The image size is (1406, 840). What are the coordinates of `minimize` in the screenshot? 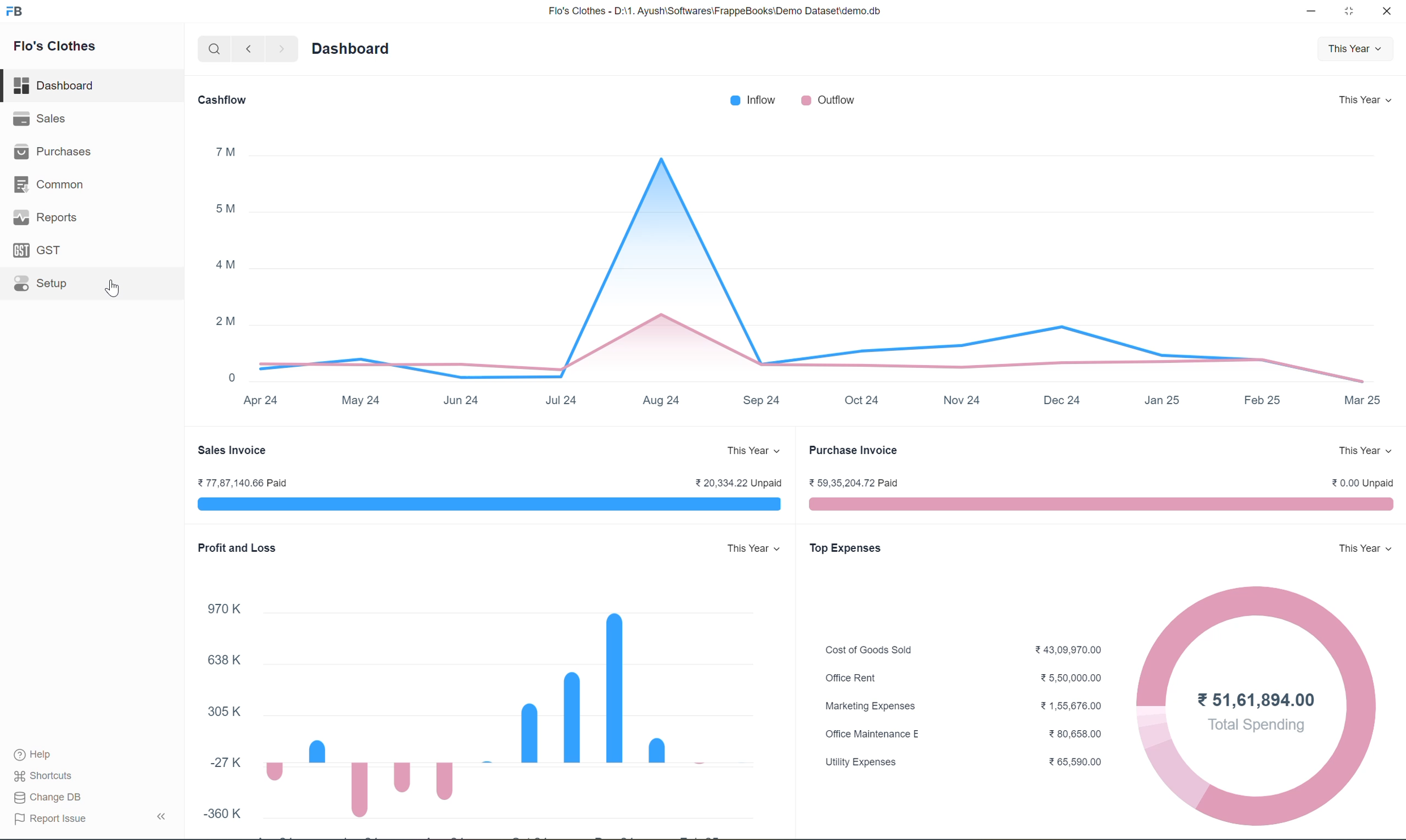 It's located at (1311, 11).